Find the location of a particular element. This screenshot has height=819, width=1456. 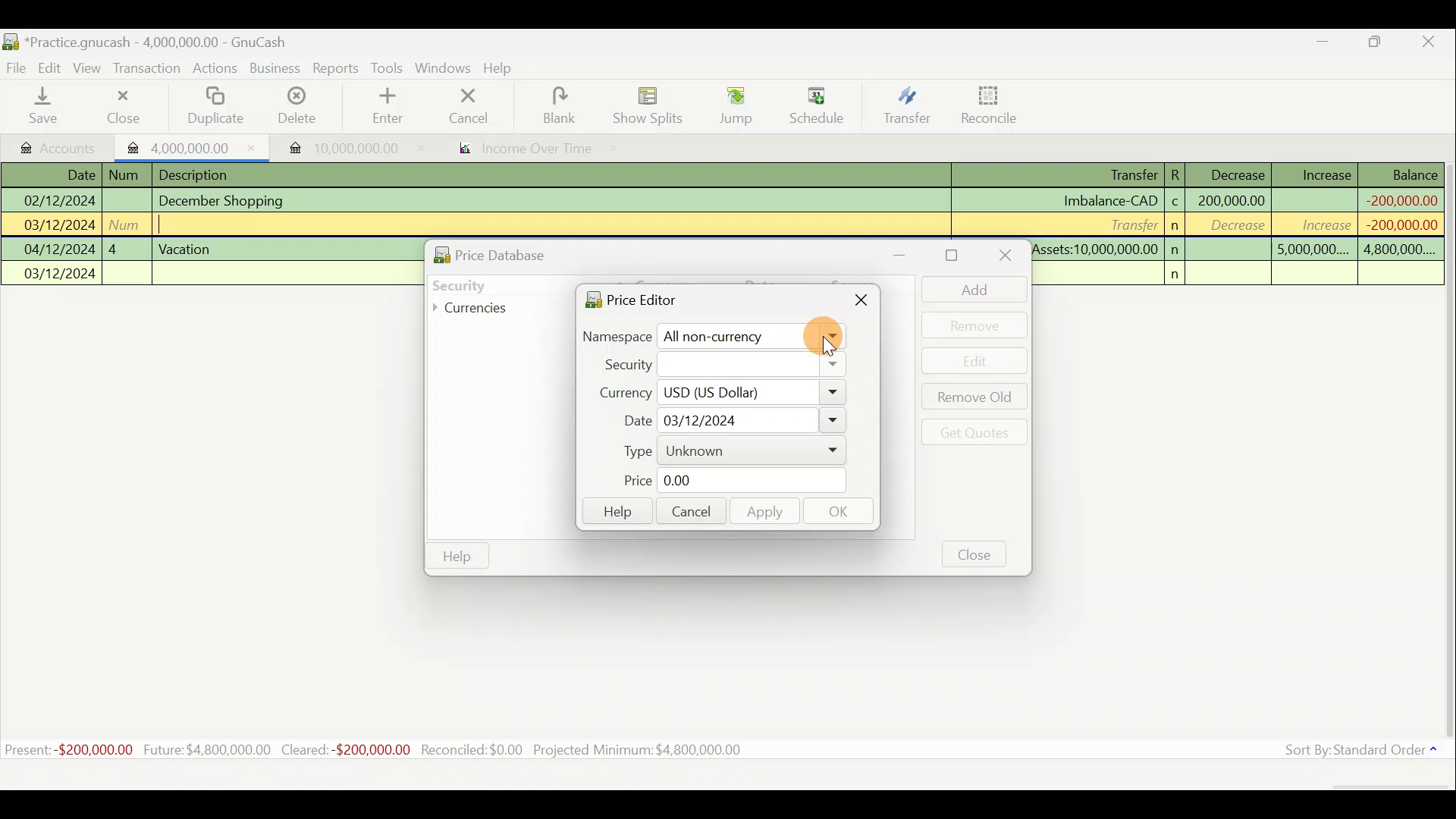

Edit is located at coordinates (52, 67).